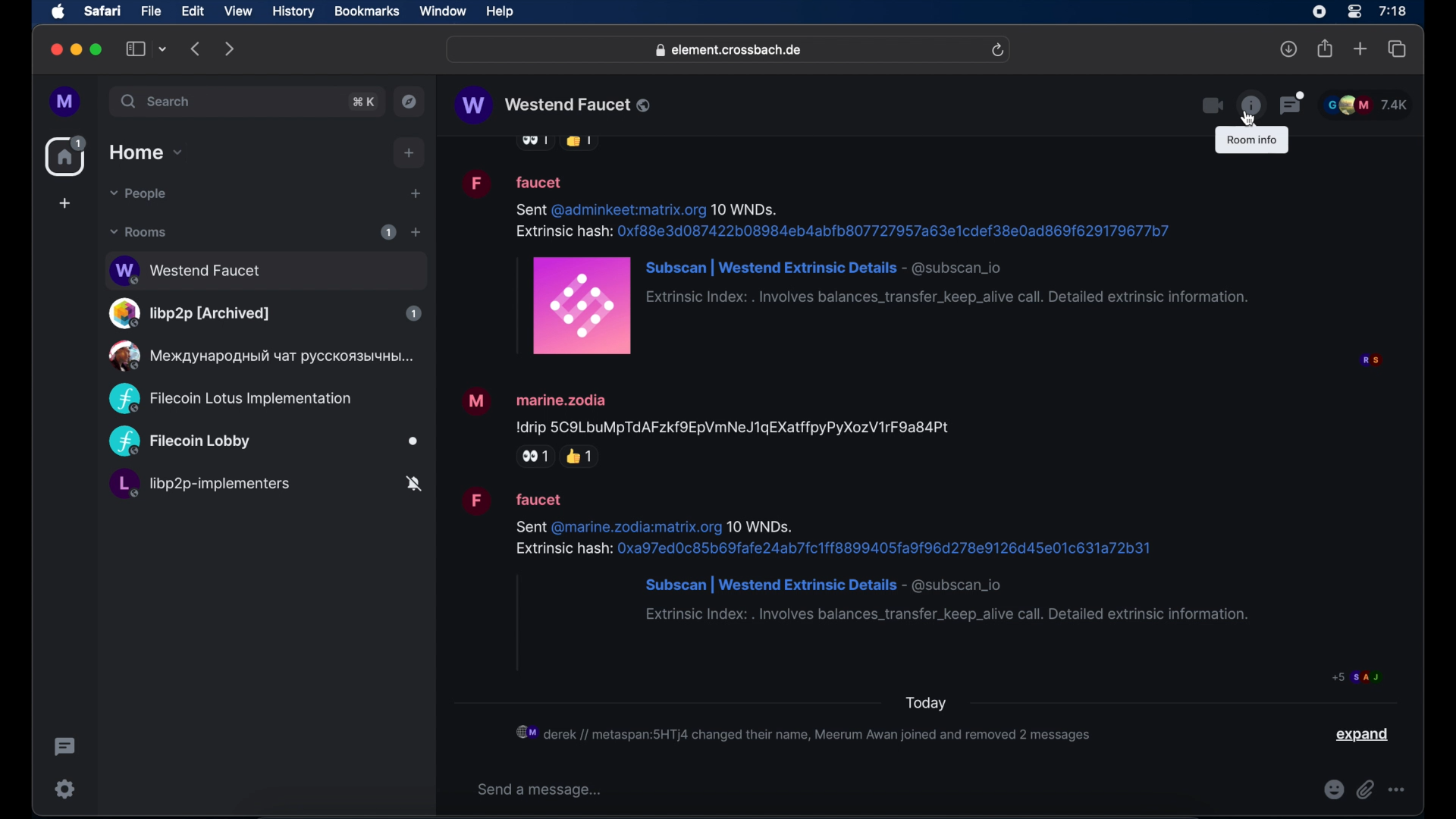 This screenshot has width=1456, height=819. Describe the element at coordinates (55, 50) in the screenshot. I see `close` at that location.